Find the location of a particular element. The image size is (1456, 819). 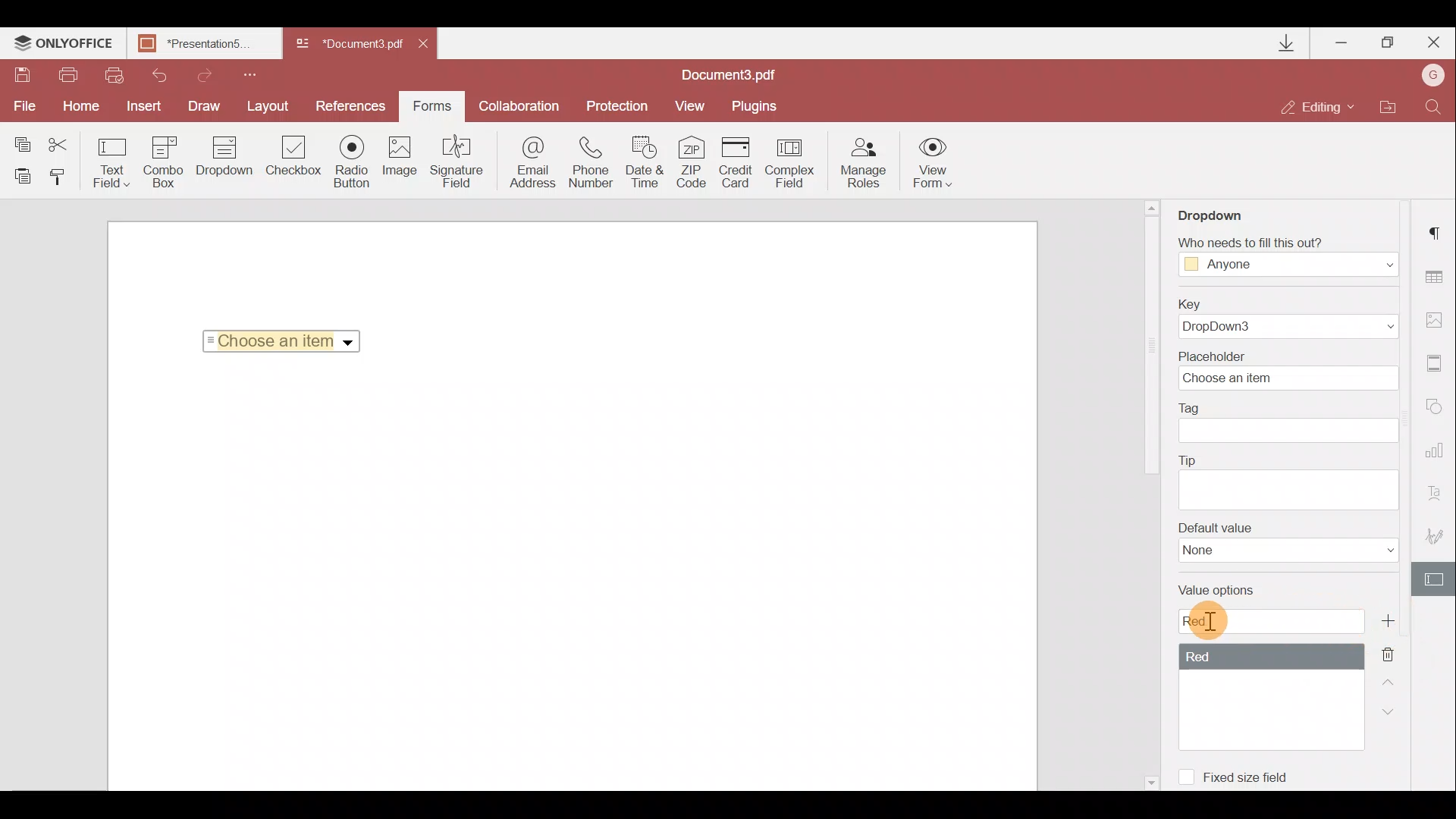

Complex field is located at coordinates (791, 162).